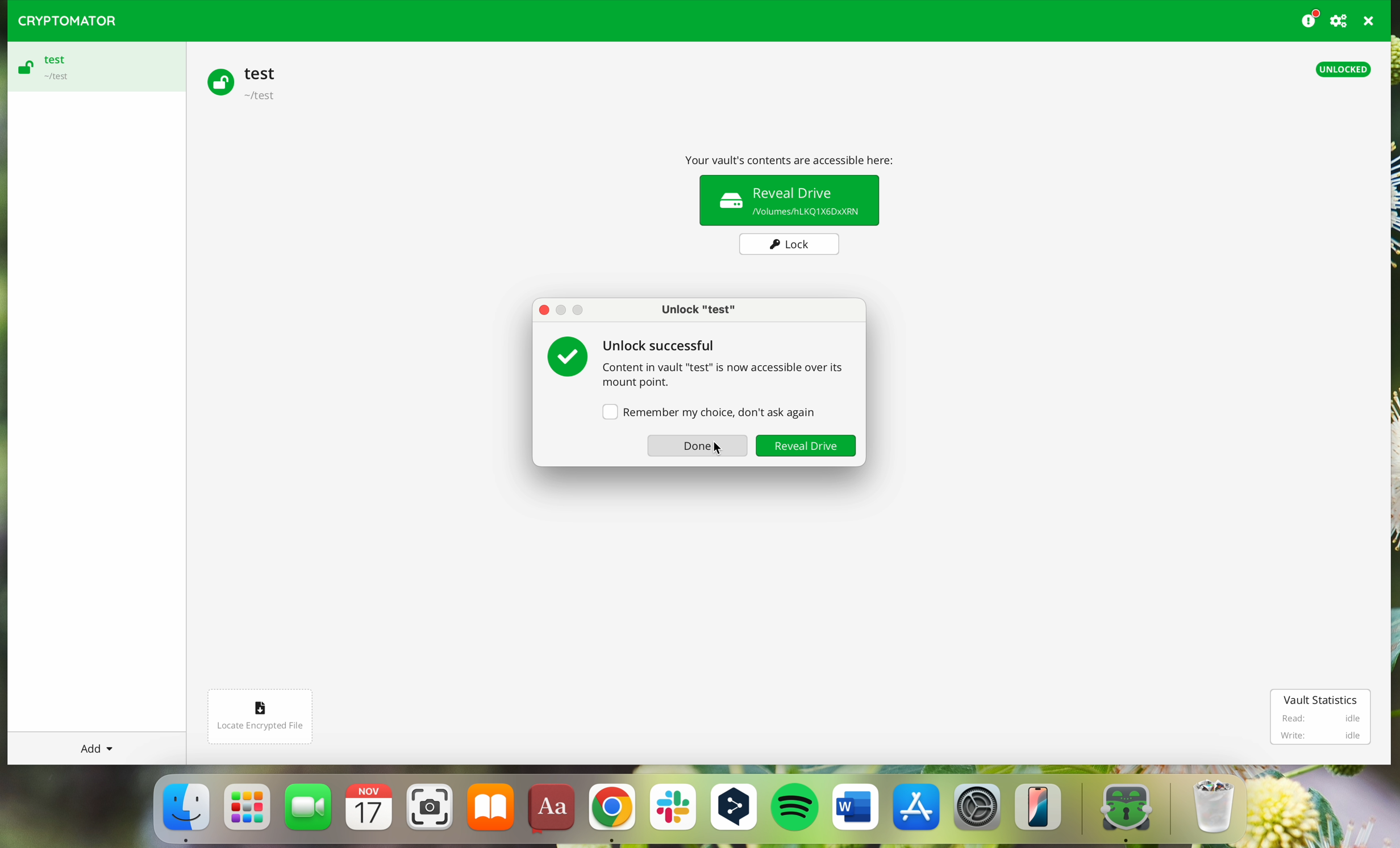 The height and width of the screenshot is (848, 1400). What do you see at coordinates (247, 81) in the screenshot?
I see `test vault` at bounding box center [247, 81].